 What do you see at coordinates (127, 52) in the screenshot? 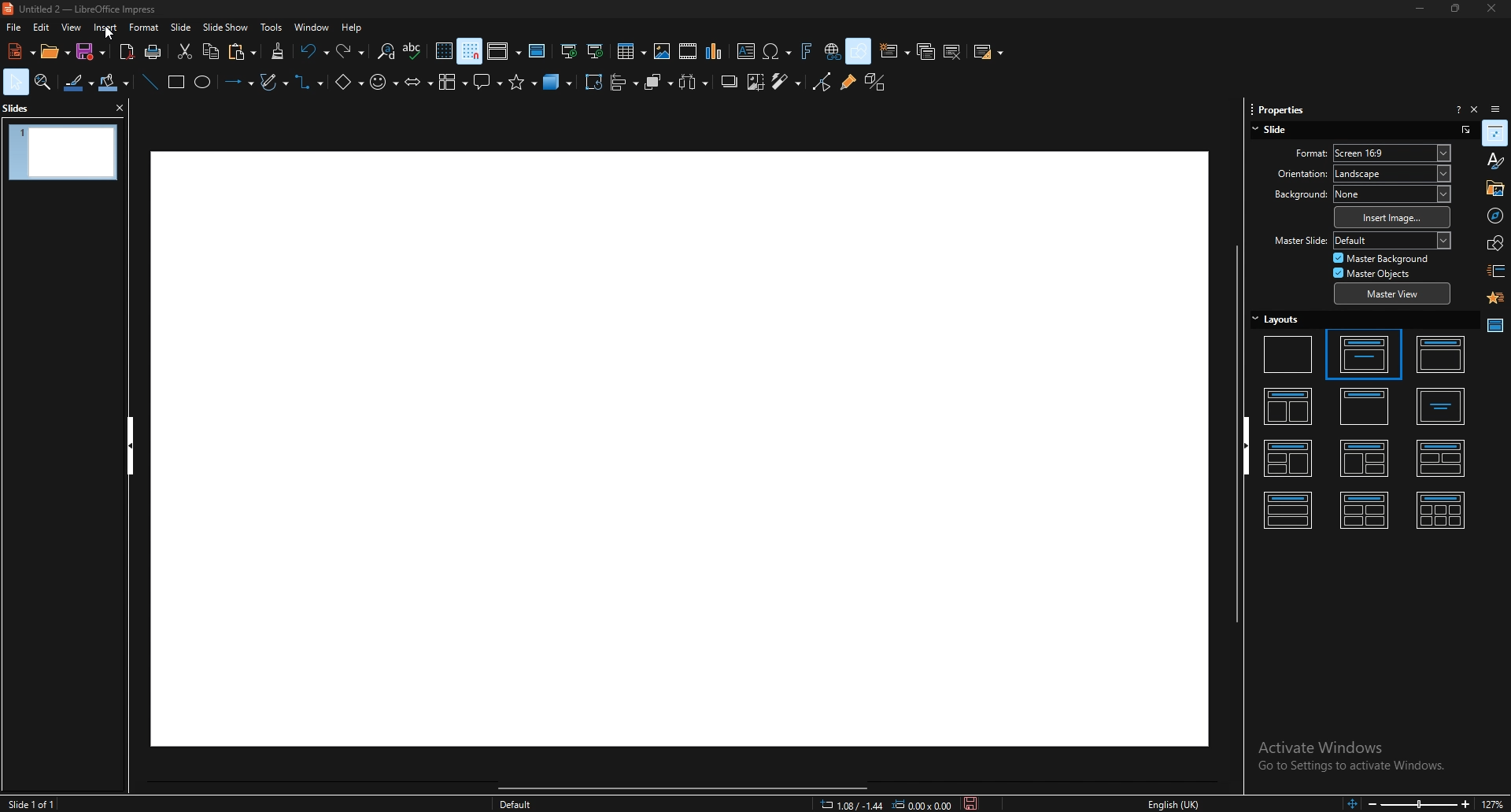
I see `export as pdf` at bounding box center [127, 52].